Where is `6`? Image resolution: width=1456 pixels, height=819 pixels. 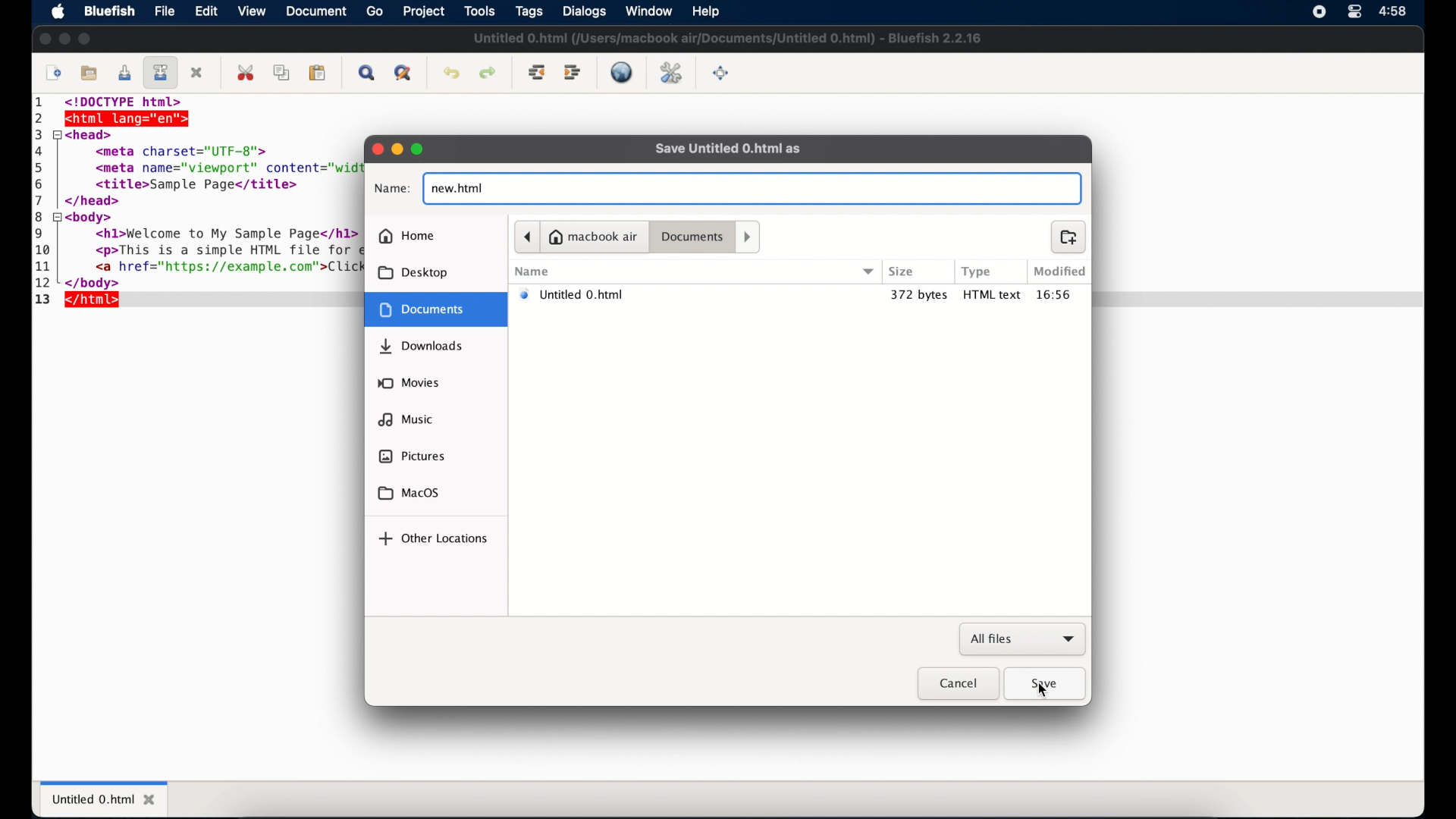 6 is located at coordinates (42, 183).